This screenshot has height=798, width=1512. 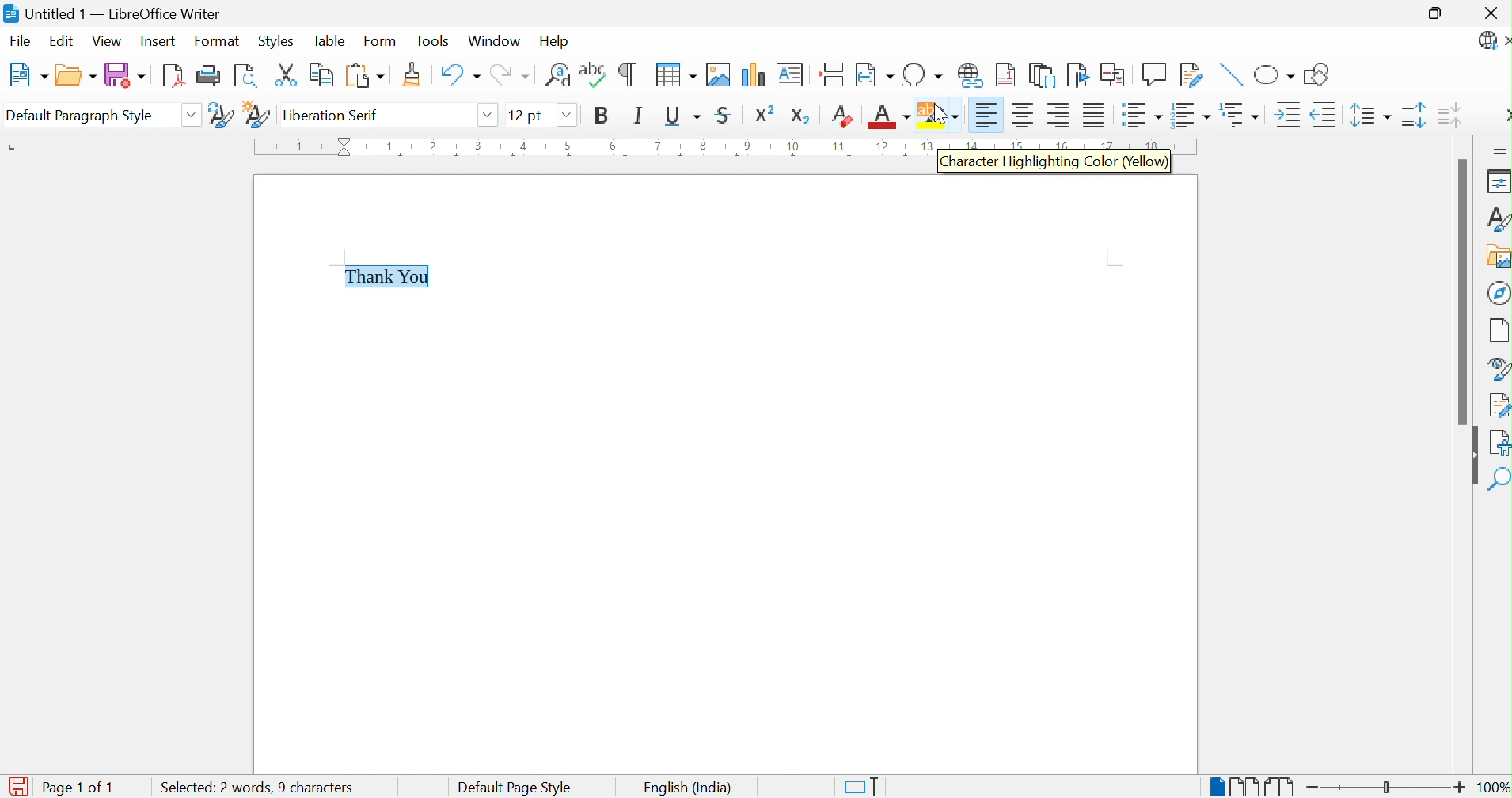 What do you see at coordinates (1281, 785) in the screenshot?
I see `Book View` at bounding box center [1281, 785].